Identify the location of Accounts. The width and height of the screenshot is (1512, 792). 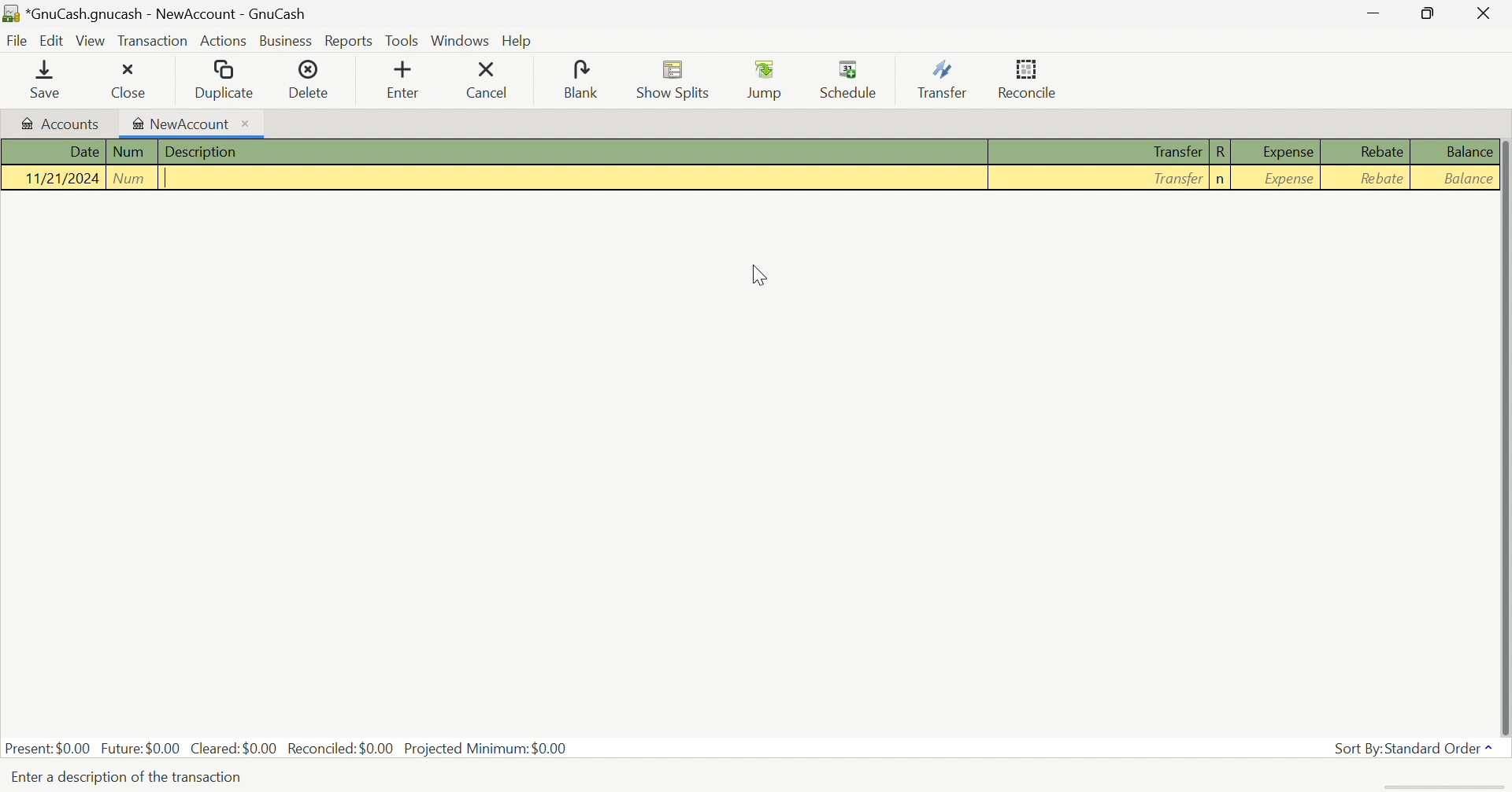
(62, 126).